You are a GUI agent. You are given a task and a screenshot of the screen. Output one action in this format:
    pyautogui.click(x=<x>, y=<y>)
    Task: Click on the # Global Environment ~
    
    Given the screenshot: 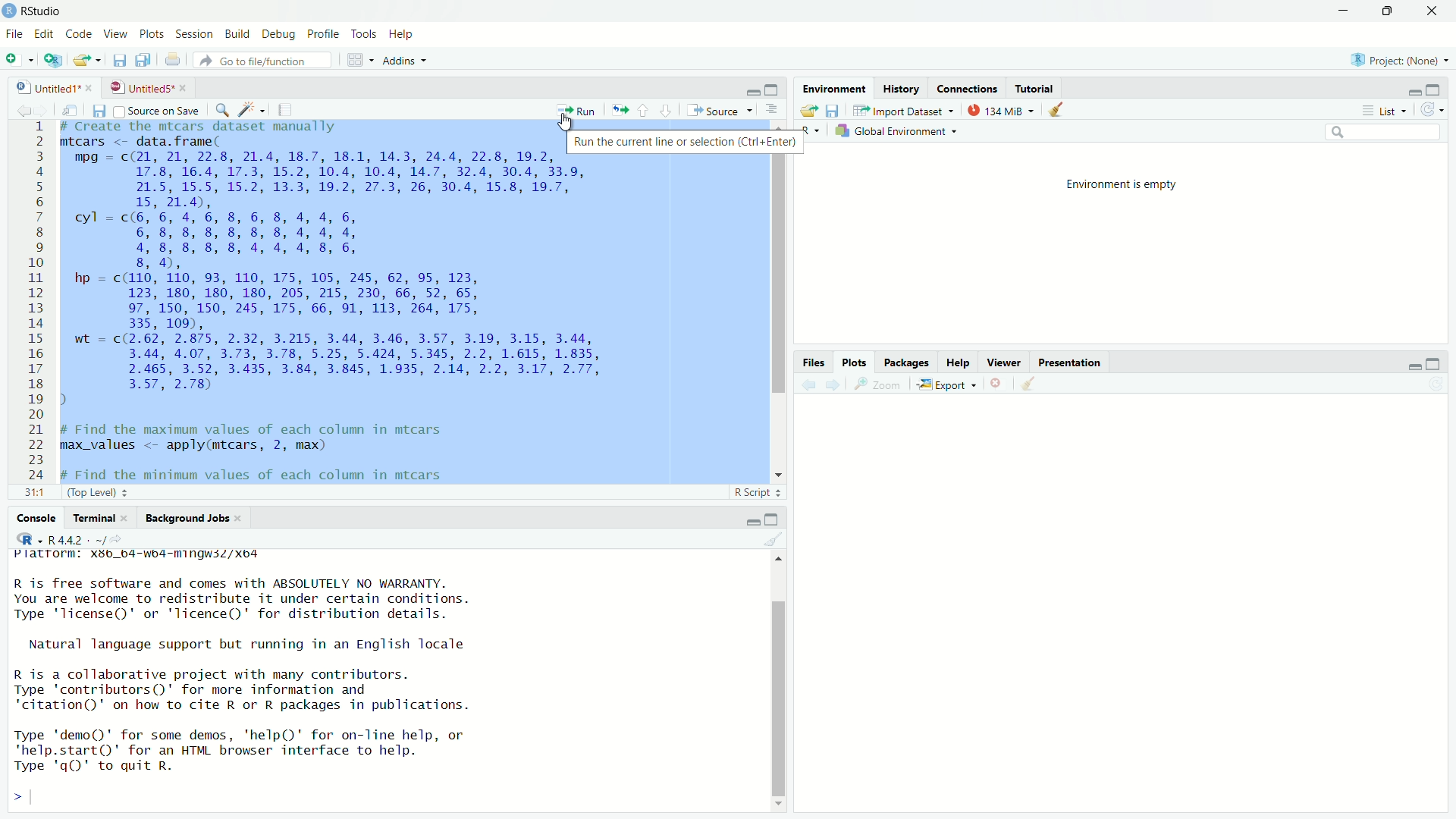 What is the action you would take?
    pyautogui.click(x=899, y=133)
    